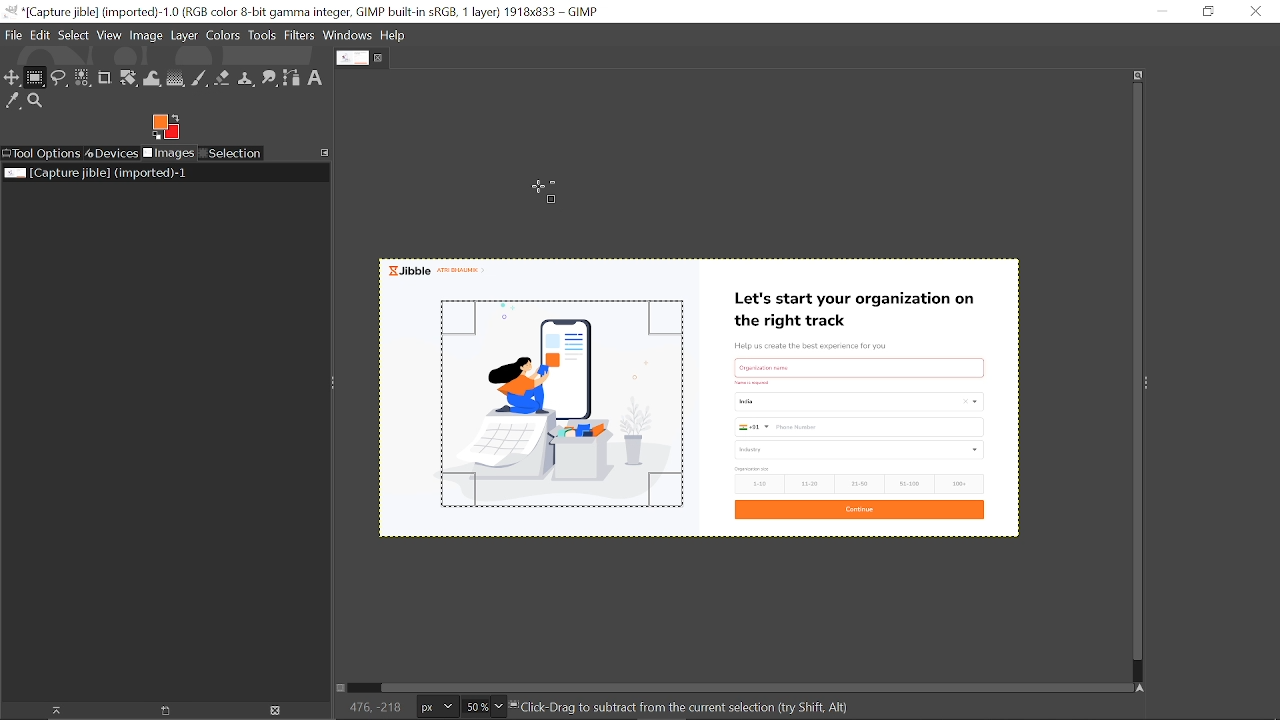  Describe the element at coordinates (82, 79) in the screenshot. I see `Select by color` at that location.